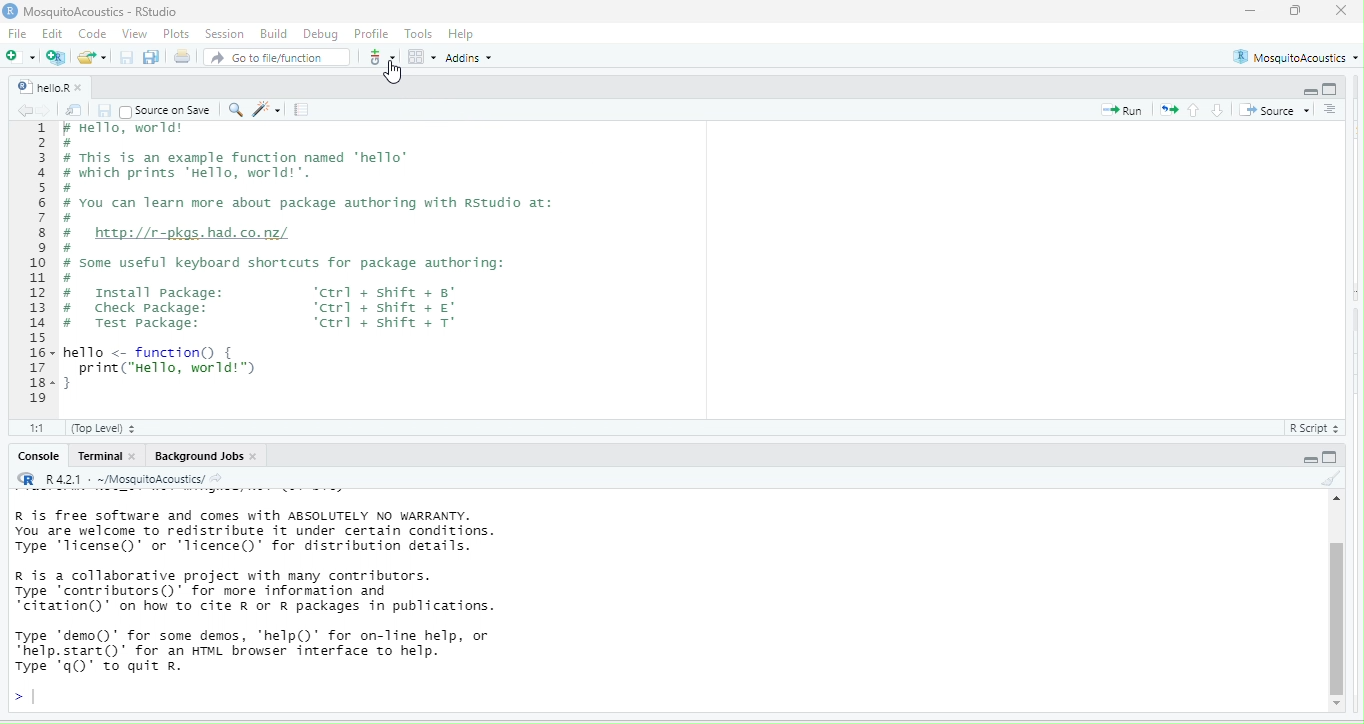 Image resolution: width=1364 pixels, height=724 pixels. What do you see at coordinates (1194, 111) in the screenshot?
I see `go to previous section/chunk` at bounding box center [1194, 111].